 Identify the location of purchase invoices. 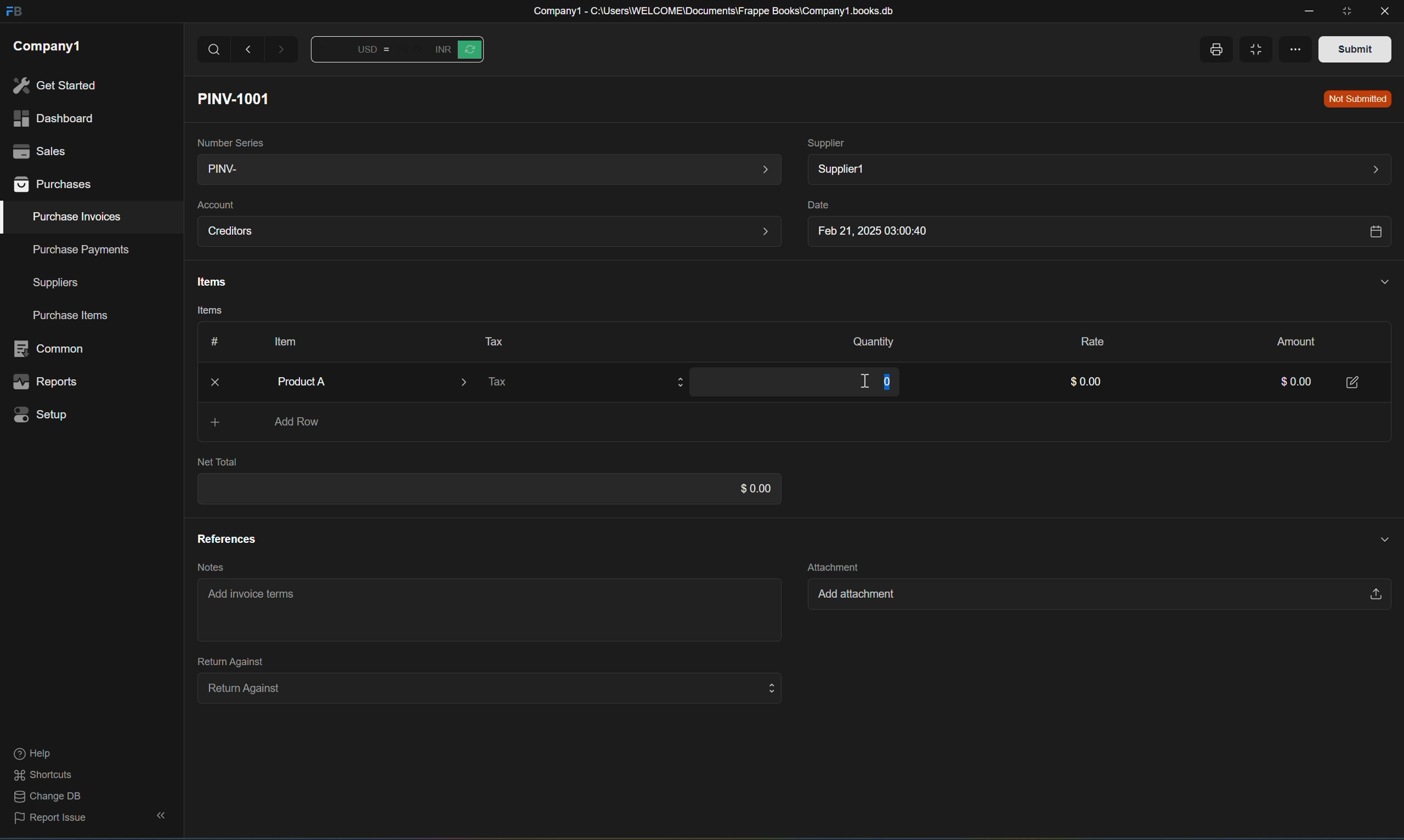
(78, 217).